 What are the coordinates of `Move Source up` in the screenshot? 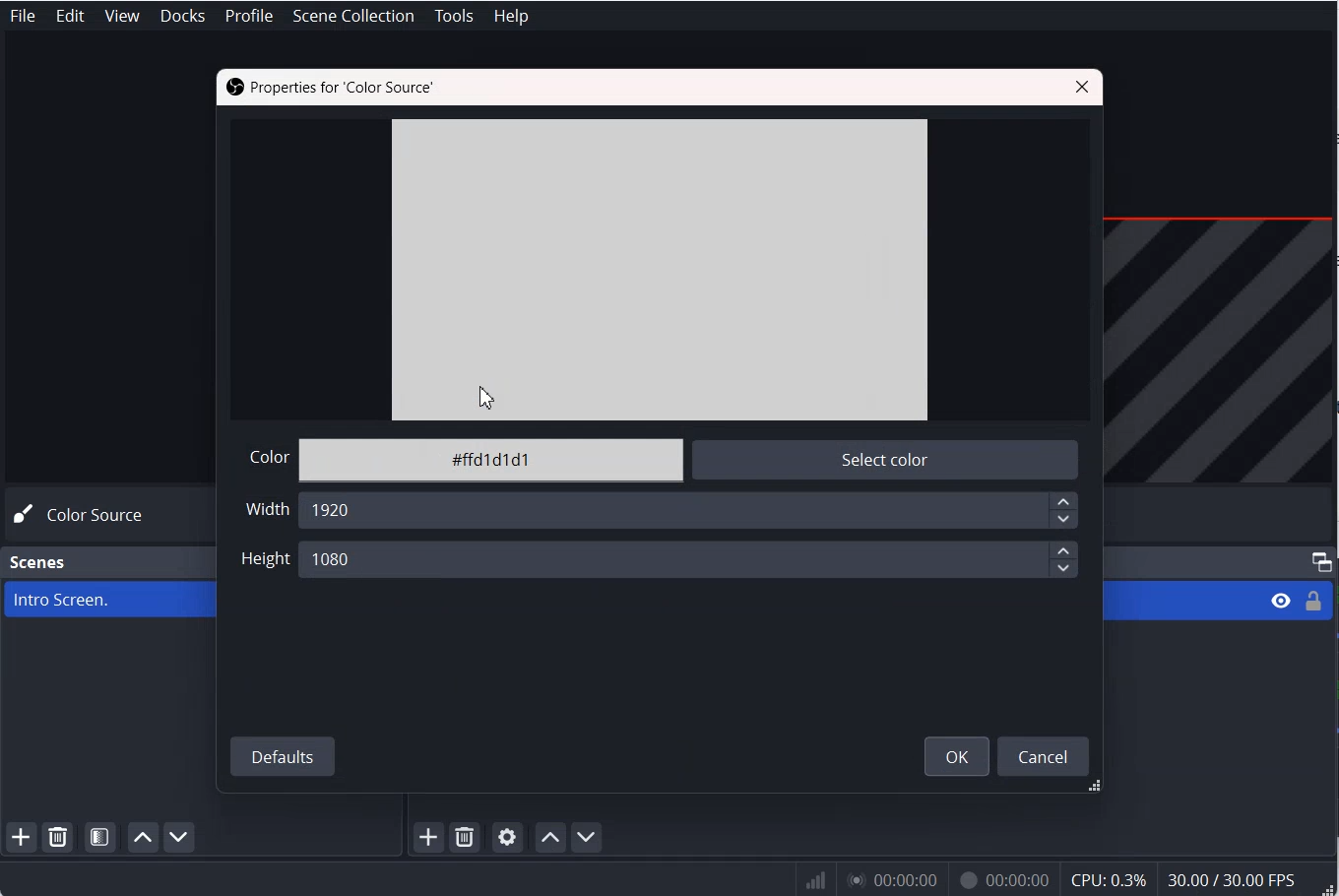 It's located at (549, 836).